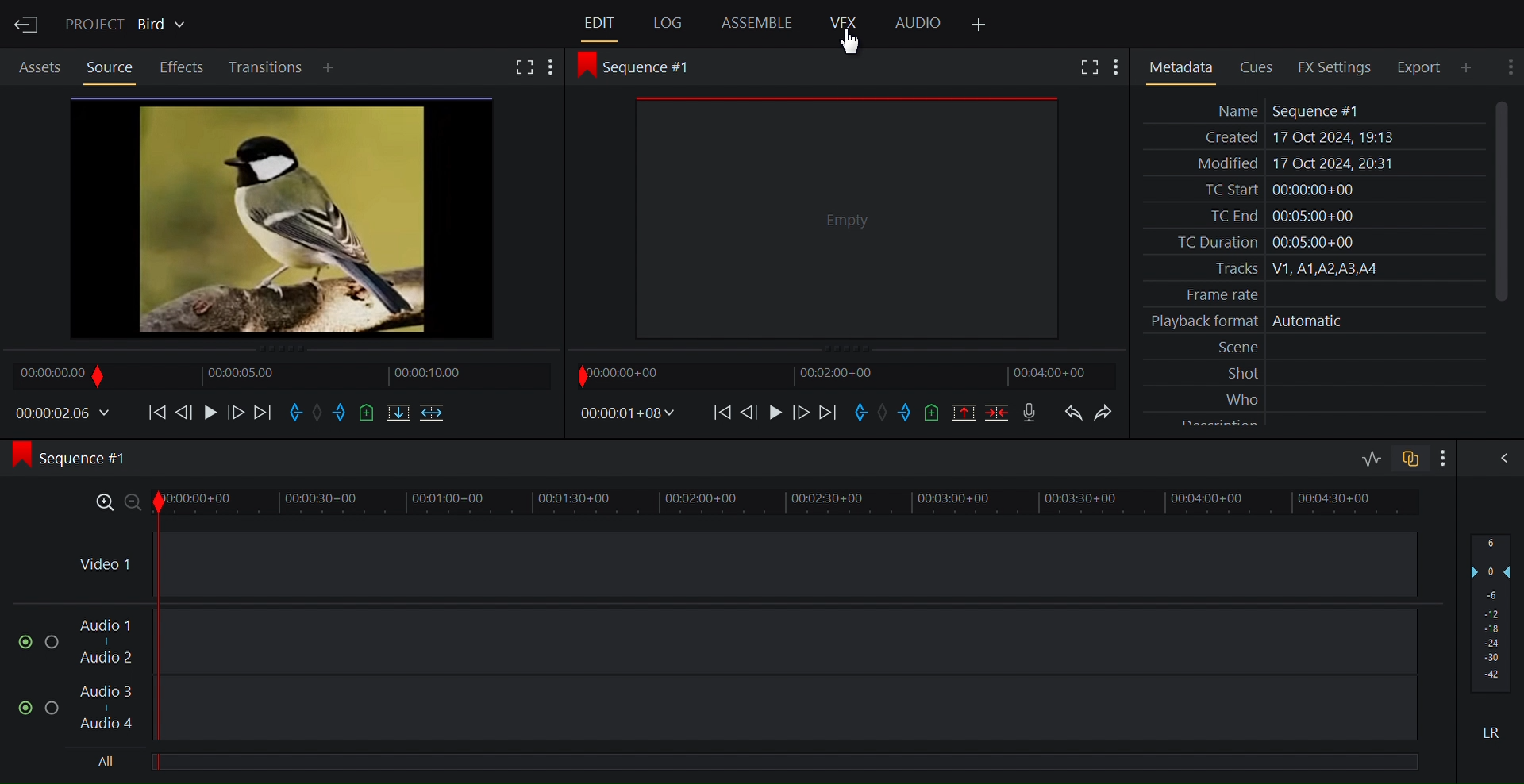  I want to click on Source, so click(107, 66).